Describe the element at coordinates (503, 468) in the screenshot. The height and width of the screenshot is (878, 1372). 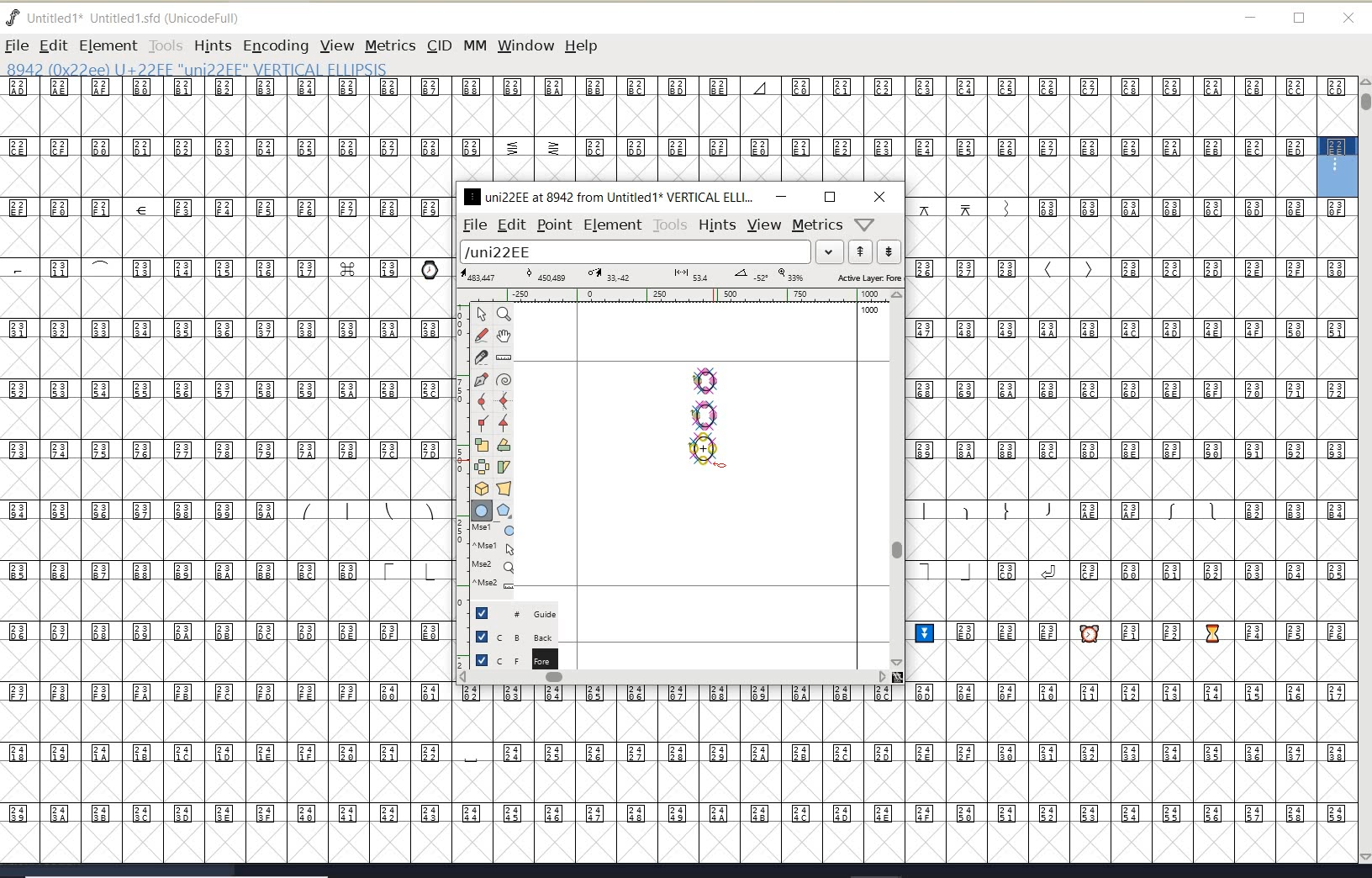
I see `skew the selection` at that location.